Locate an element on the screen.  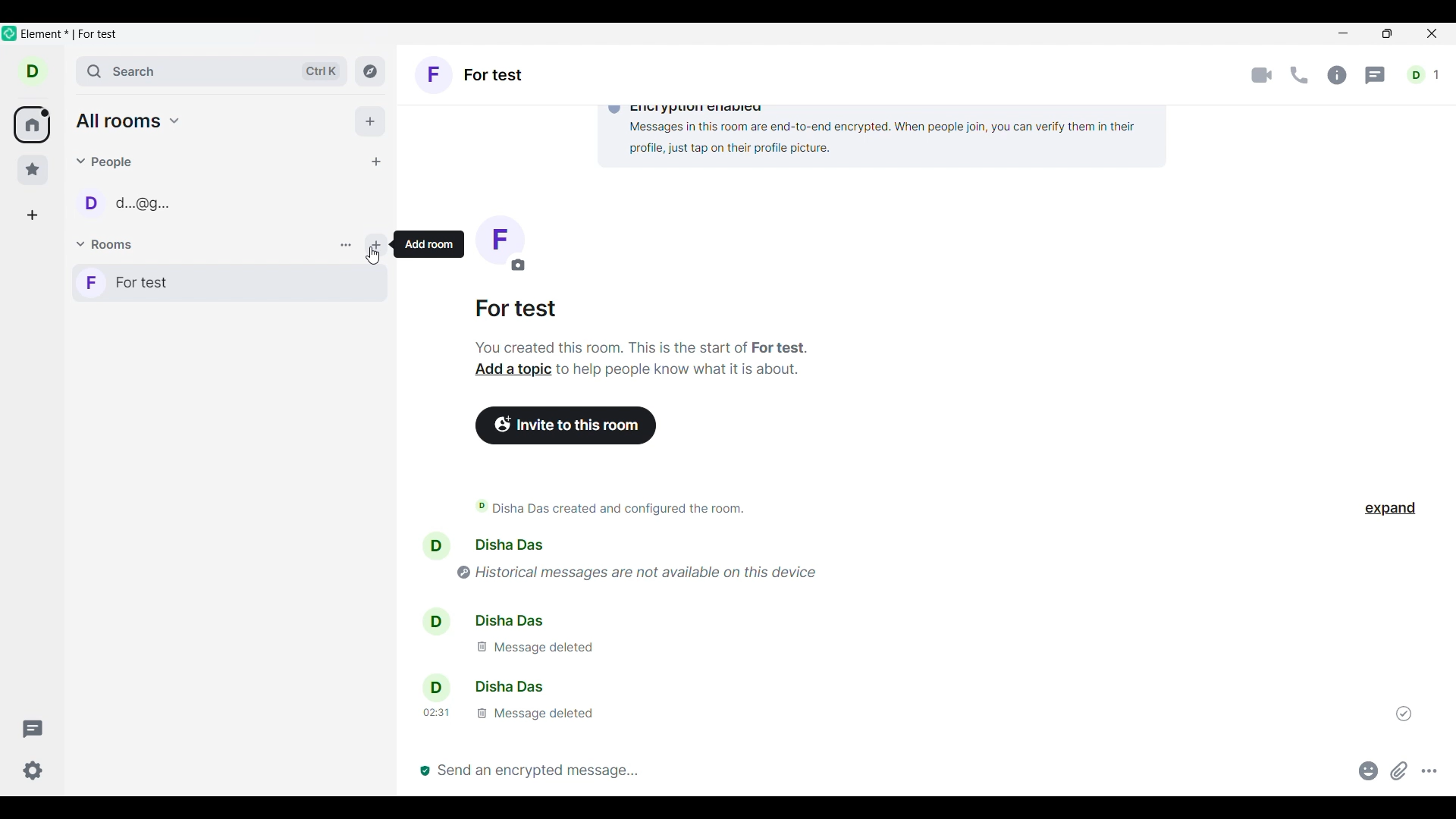
room options is located at coordinates (347, 246).